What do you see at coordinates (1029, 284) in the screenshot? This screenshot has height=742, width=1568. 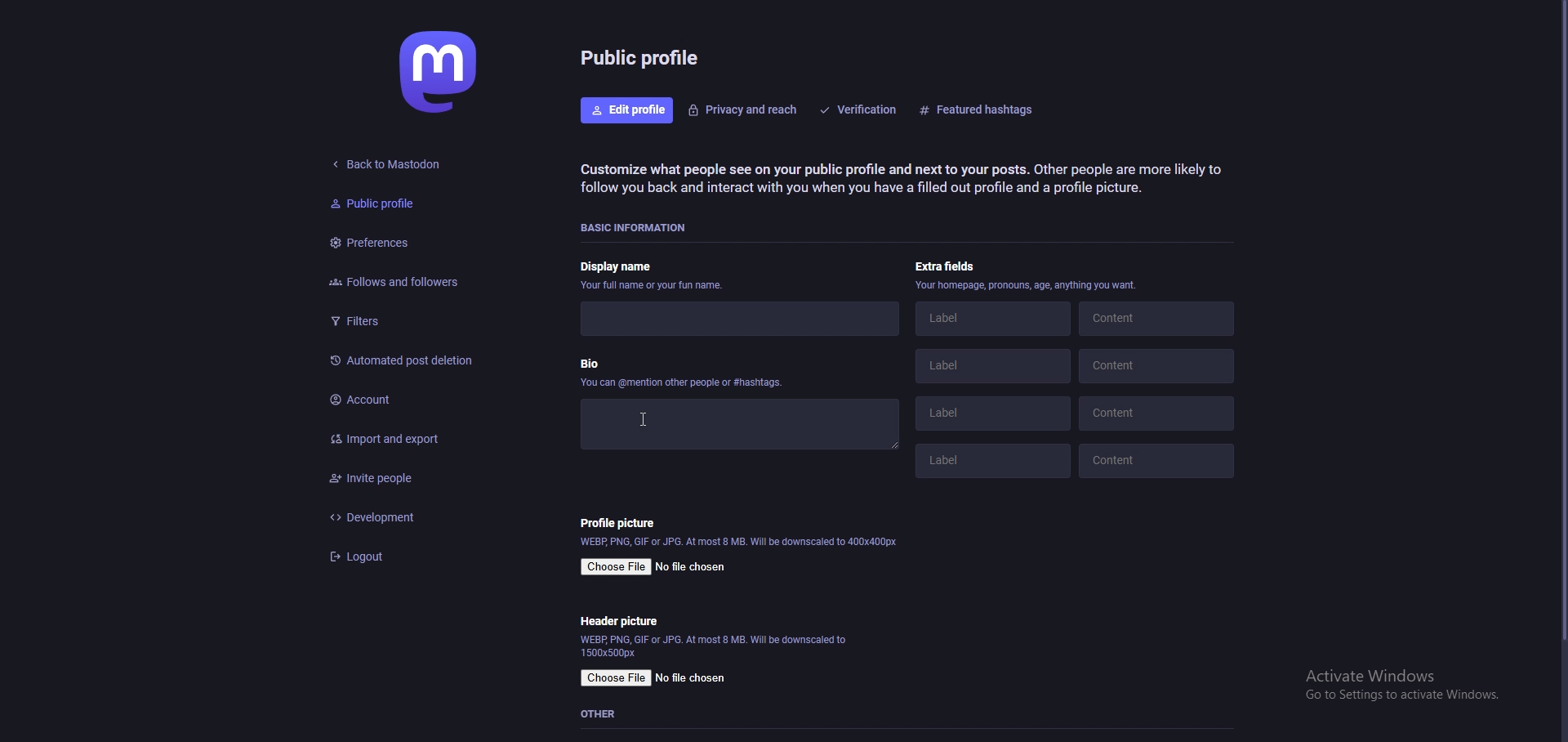 I see `info` at bounding box center [1029, 284].